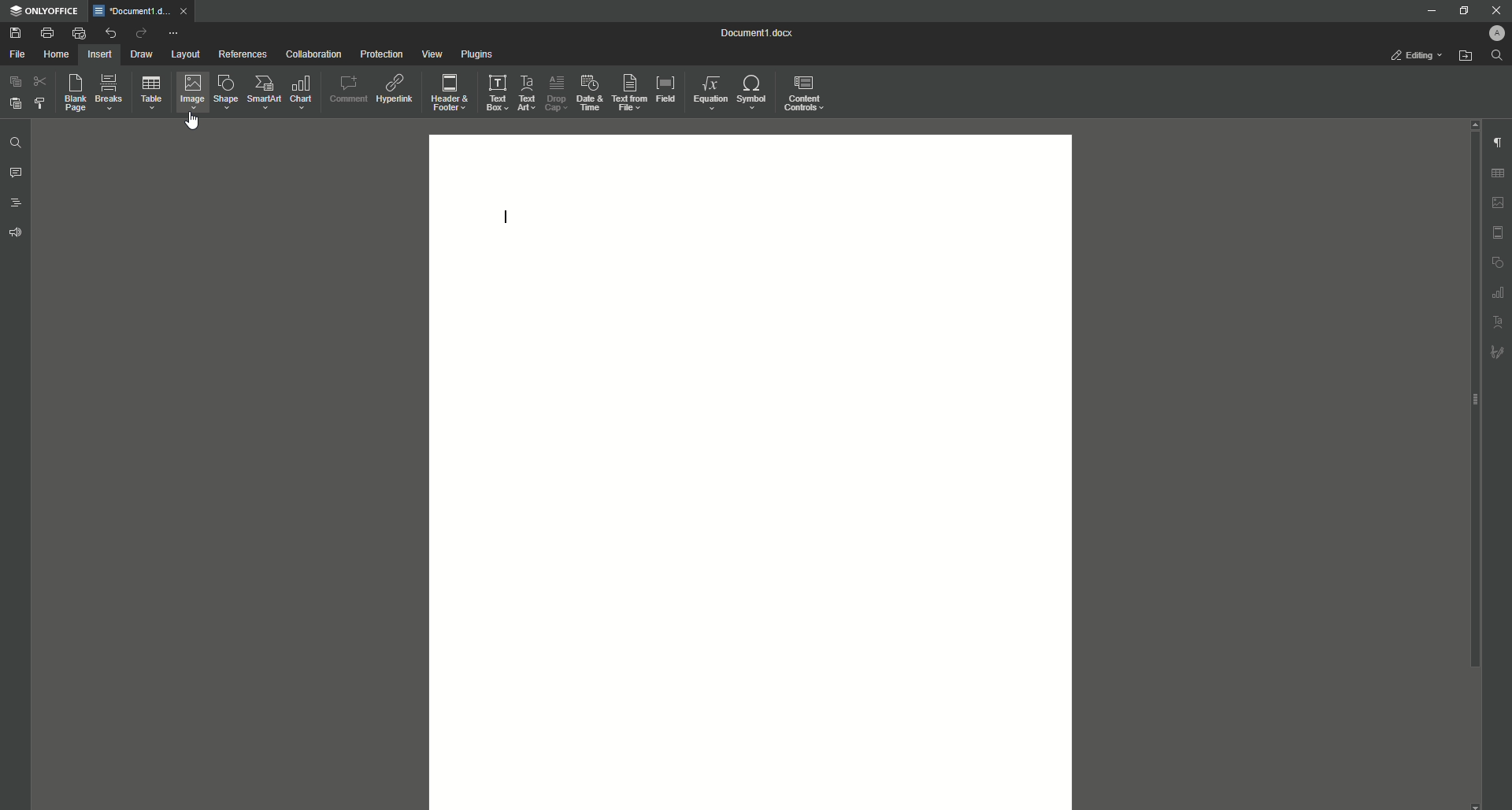 This screenshot has width=1512, height=810. What do you see at coordinates (151, 92) in the screenshot?
I see `Table` at bounding box center [151, 92].